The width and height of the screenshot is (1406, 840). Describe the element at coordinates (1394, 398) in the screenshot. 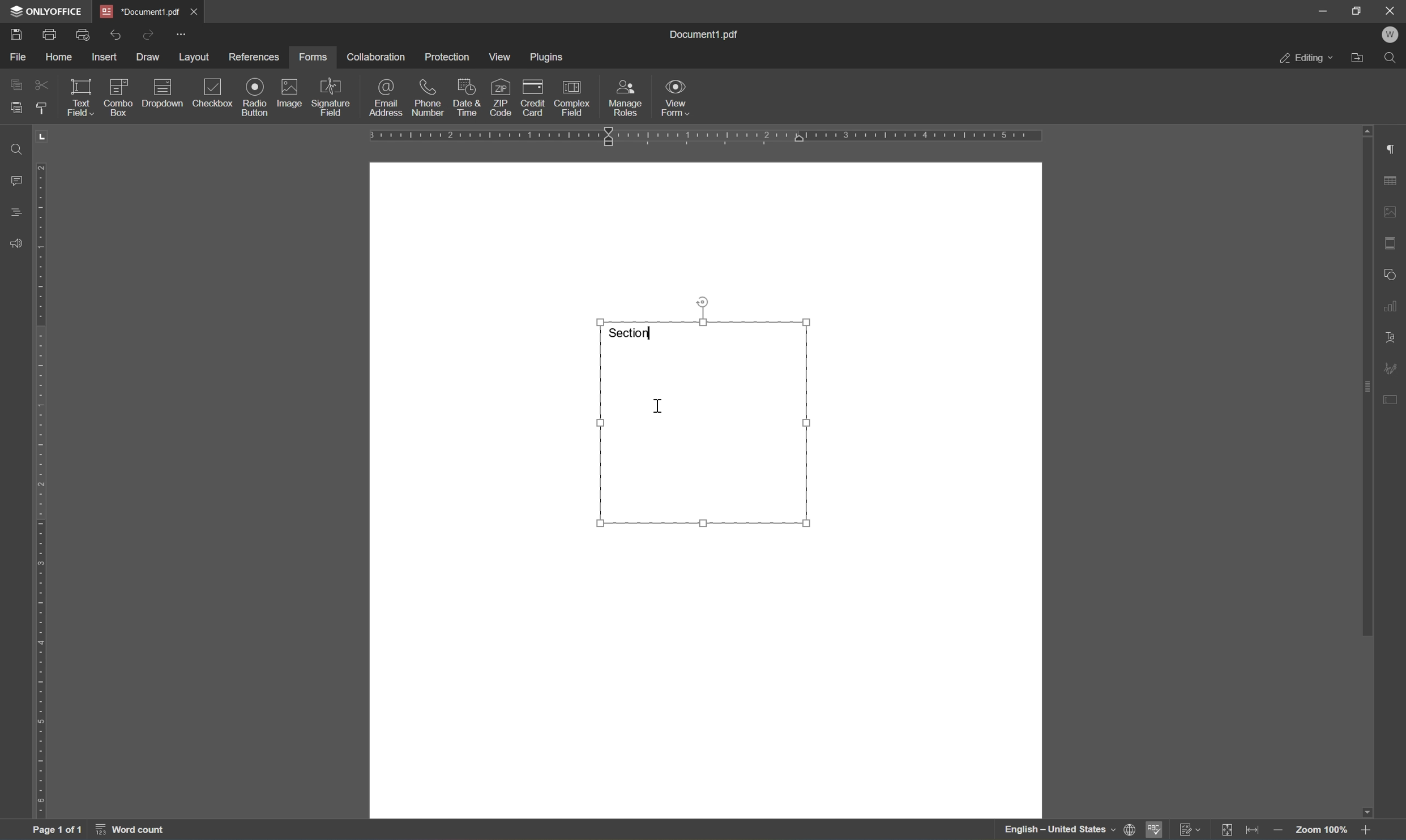

I see `form settings` at that location.